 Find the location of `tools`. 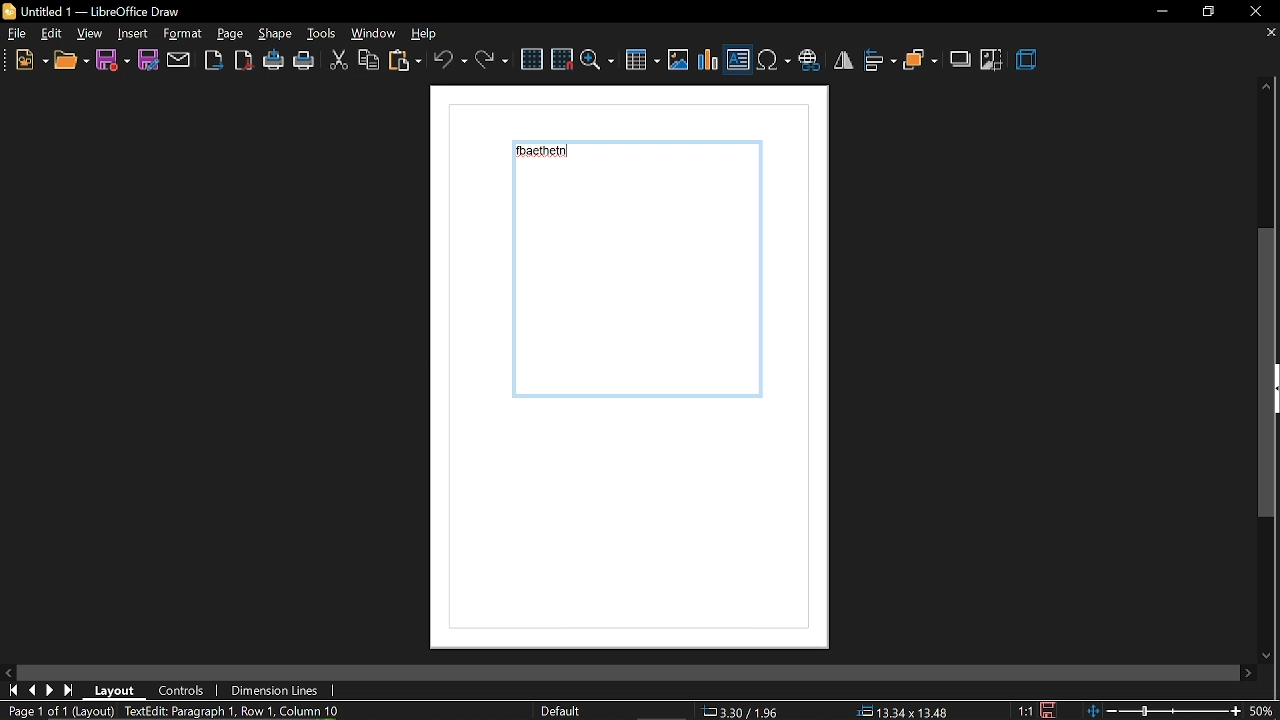

tools is located at coordinates (322, 33).